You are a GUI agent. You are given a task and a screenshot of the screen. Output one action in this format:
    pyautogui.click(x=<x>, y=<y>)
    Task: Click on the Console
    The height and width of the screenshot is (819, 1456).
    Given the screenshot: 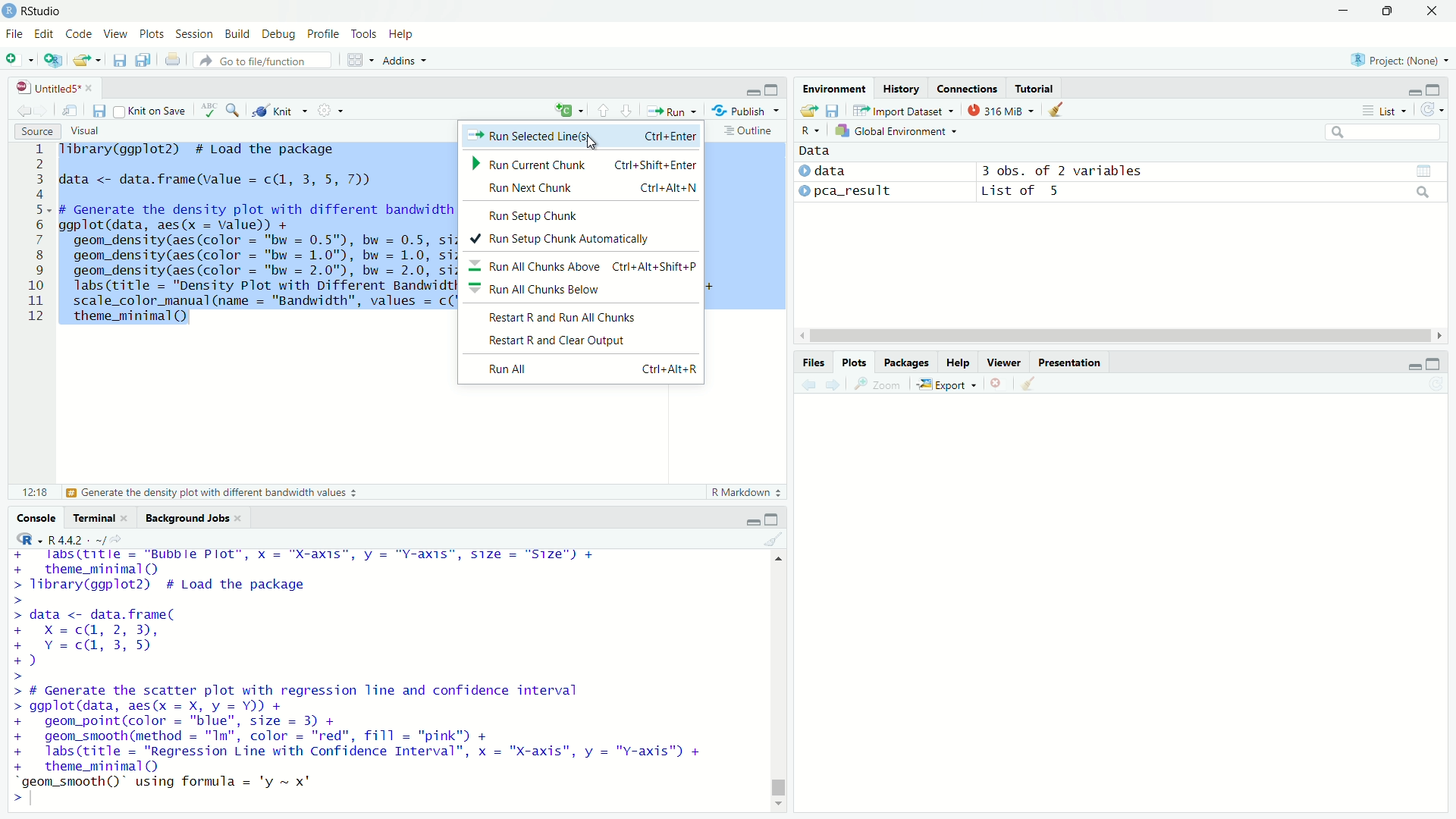 What is the action you would take?
    pyautogui.click(x=35, y=517)
    